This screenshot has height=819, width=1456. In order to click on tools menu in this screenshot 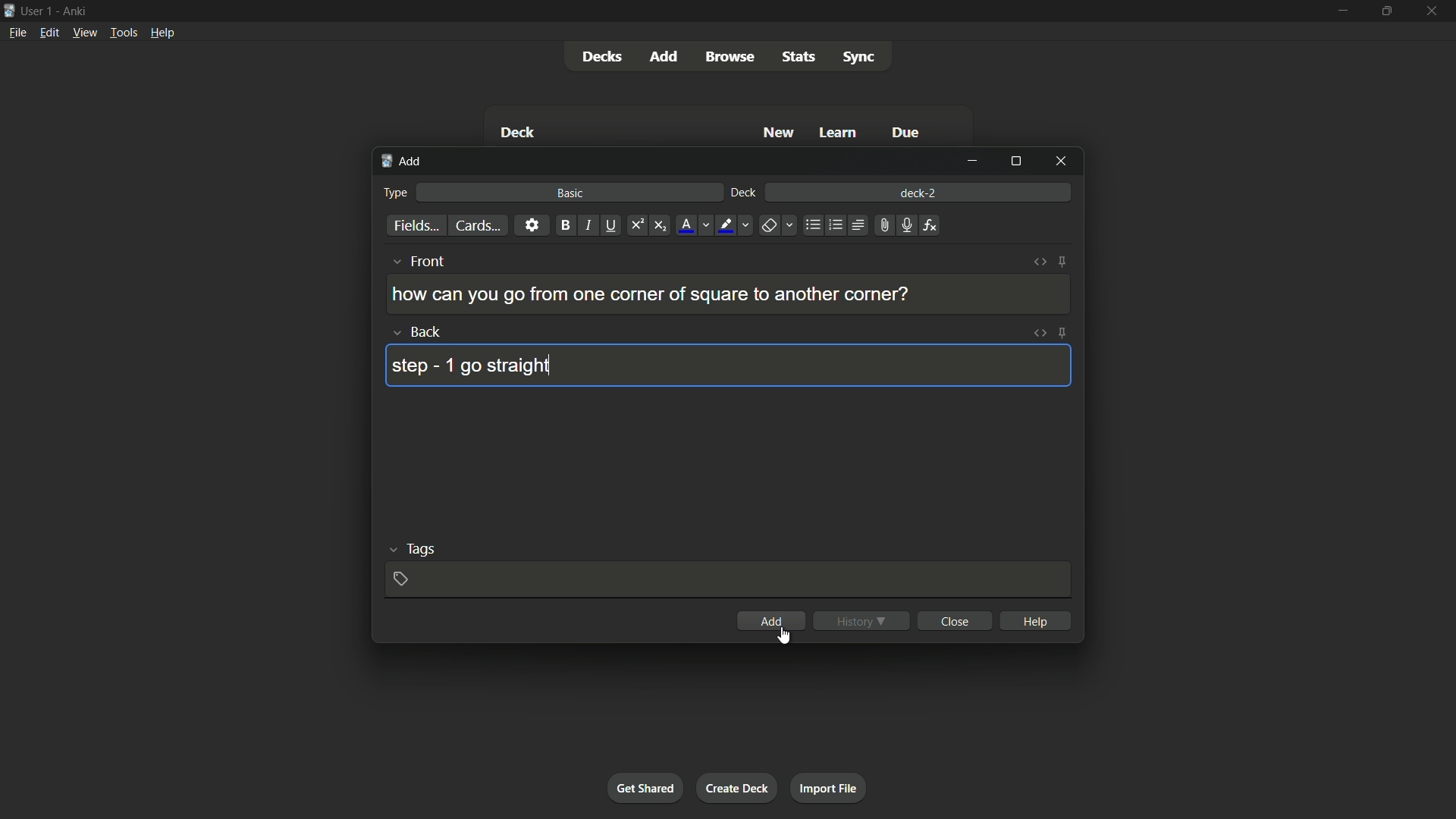, I will do `click(124, 33)`.